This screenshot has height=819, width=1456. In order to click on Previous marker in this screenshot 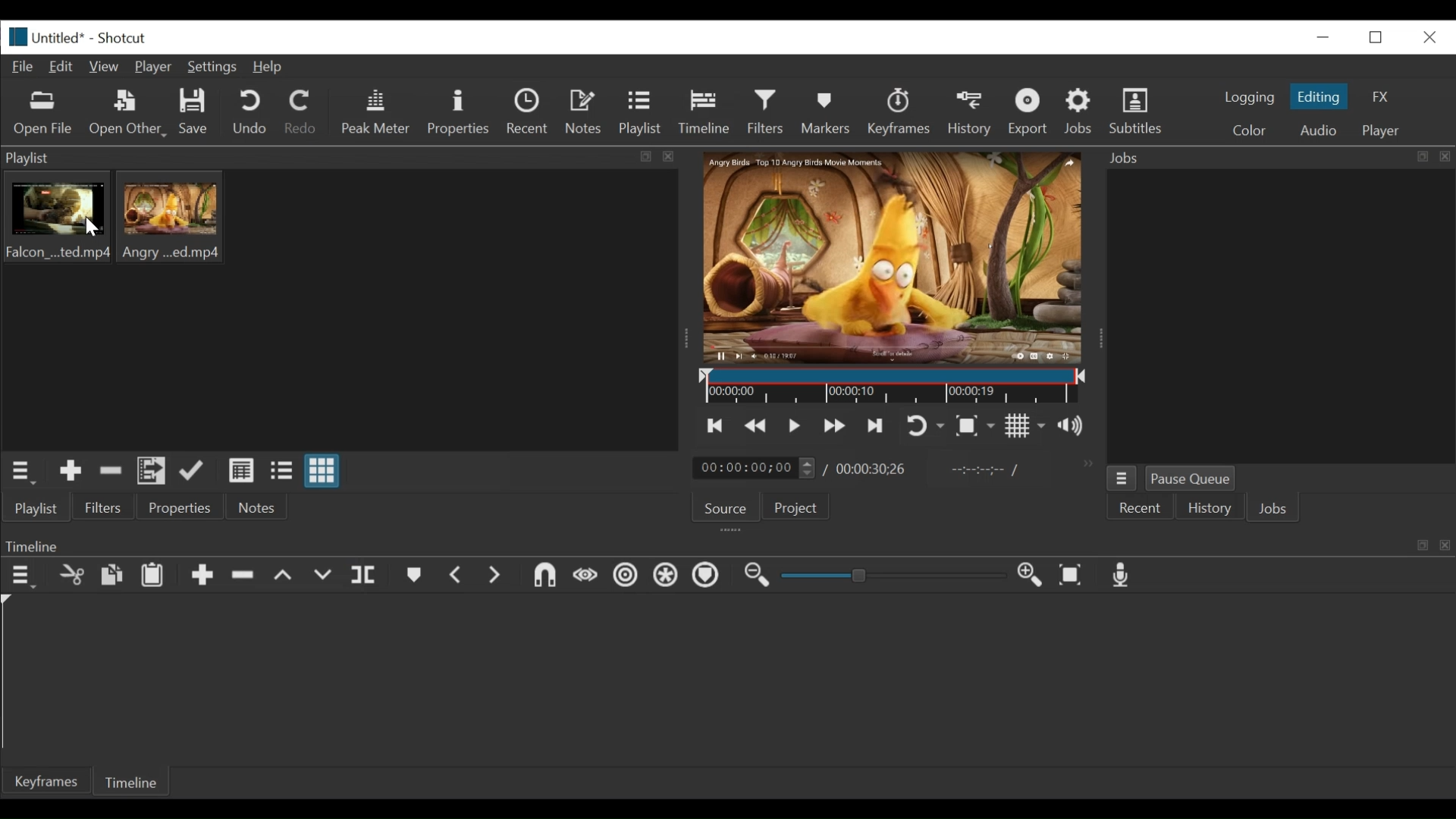, I will do `click(457, 578)`.